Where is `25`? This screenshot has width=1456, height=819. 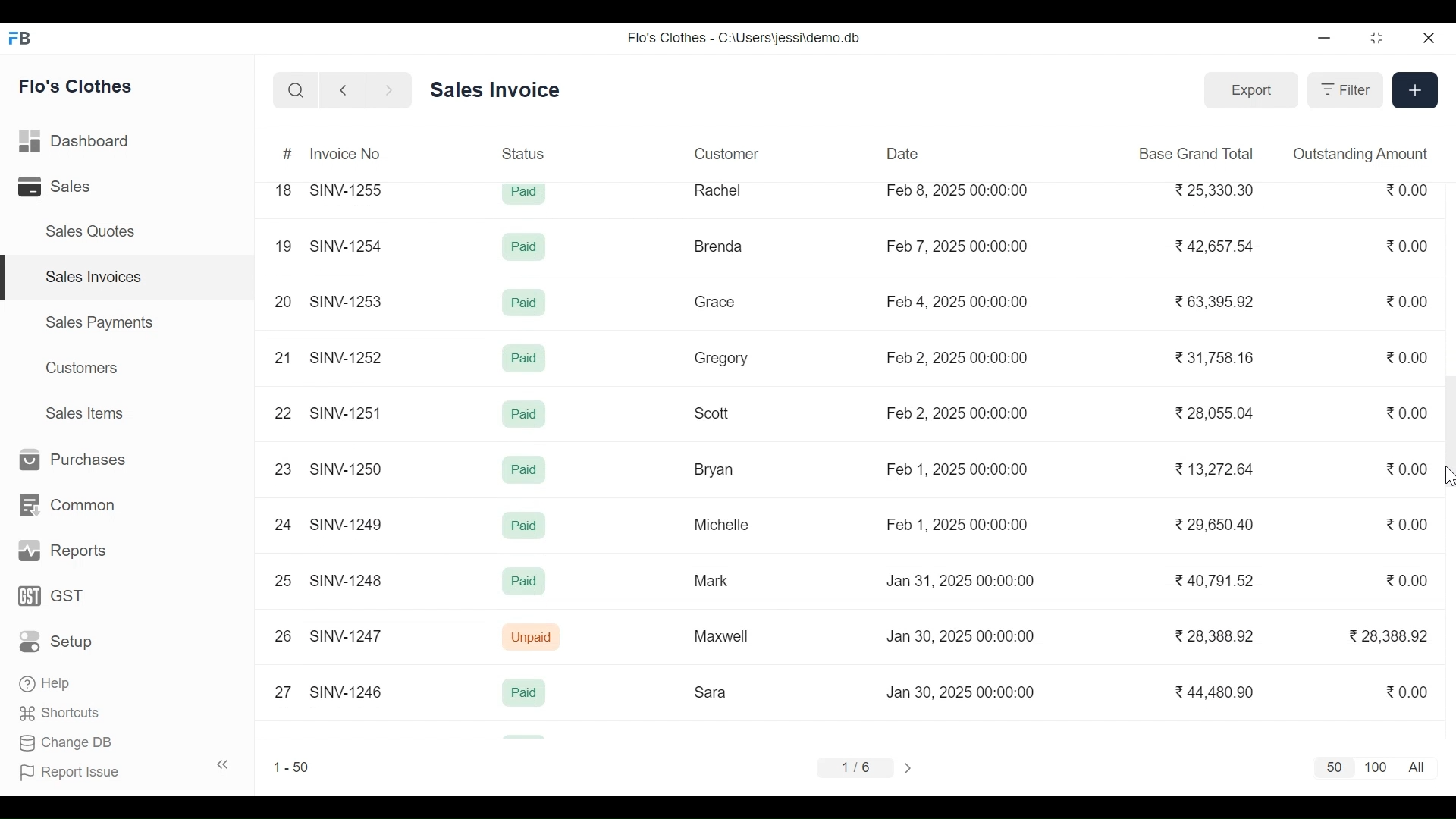 25 is located at coordinates (283, 579).